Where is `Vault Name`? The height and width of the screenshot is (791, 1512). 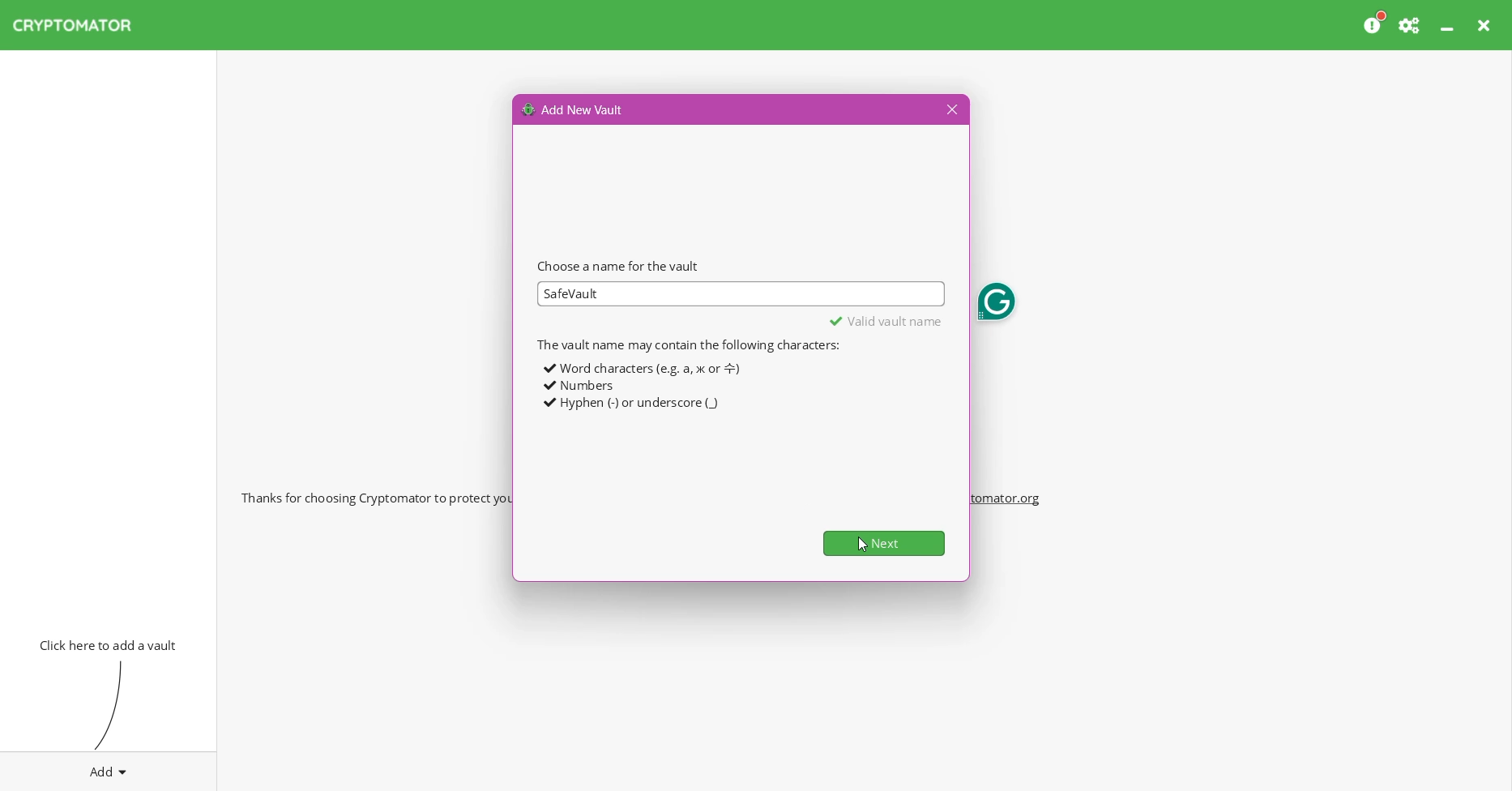
Vault Name is located at coordinates (740, 294).